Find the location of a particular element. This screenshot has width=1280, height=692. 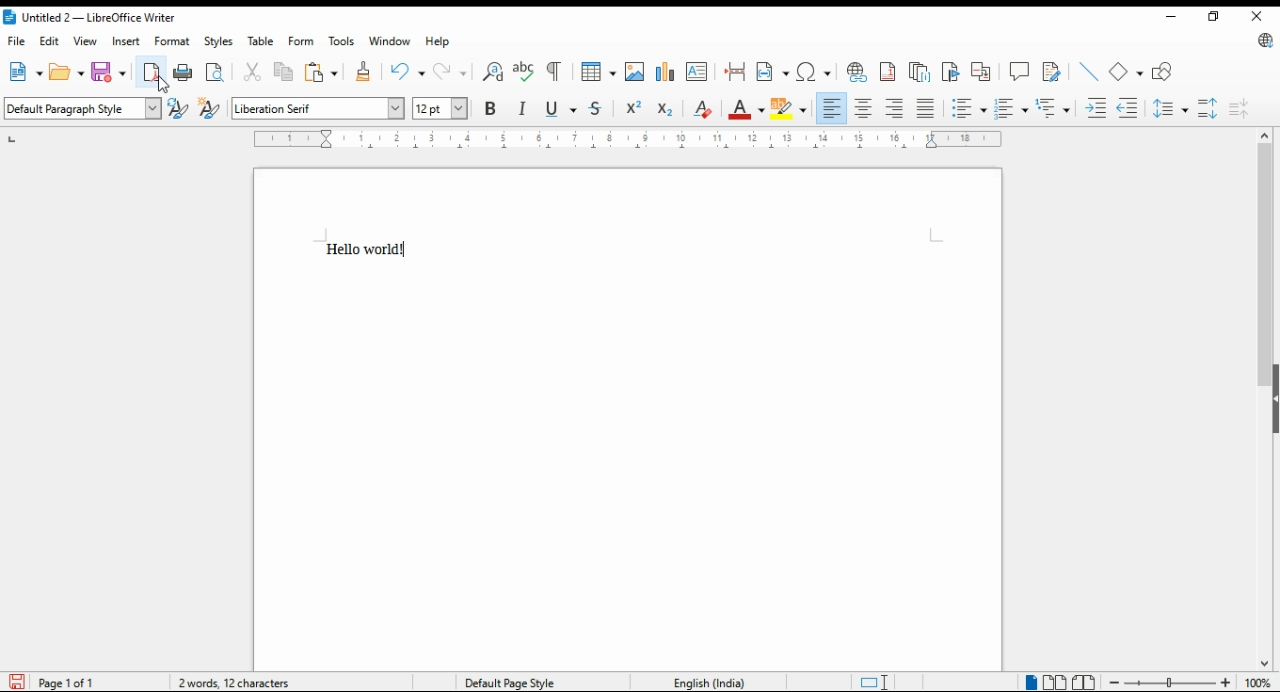

new is located at coordinates (26, 72).